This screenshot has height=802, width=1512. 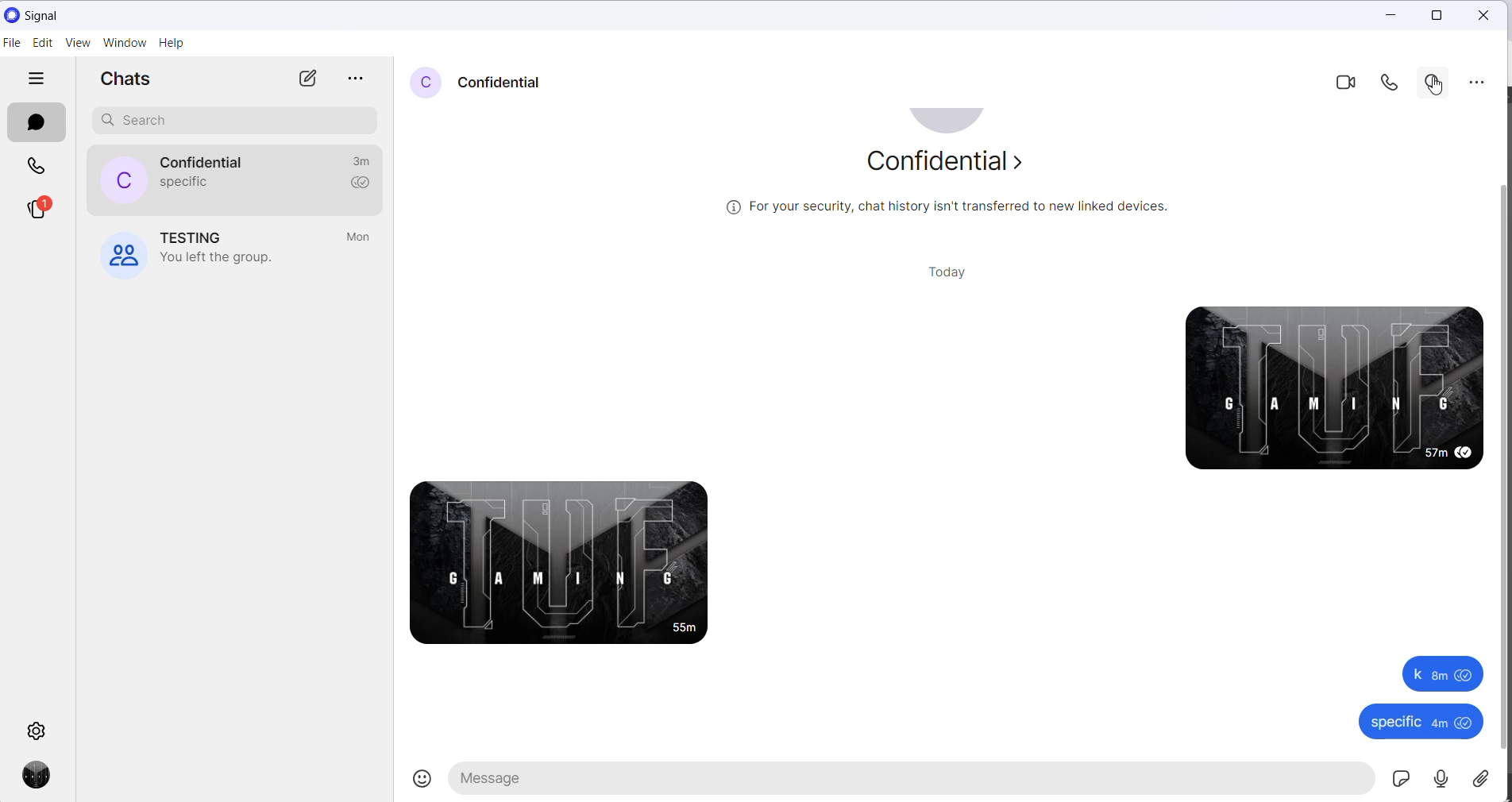 I want to click on voice call, so click(x=1397, y=83).